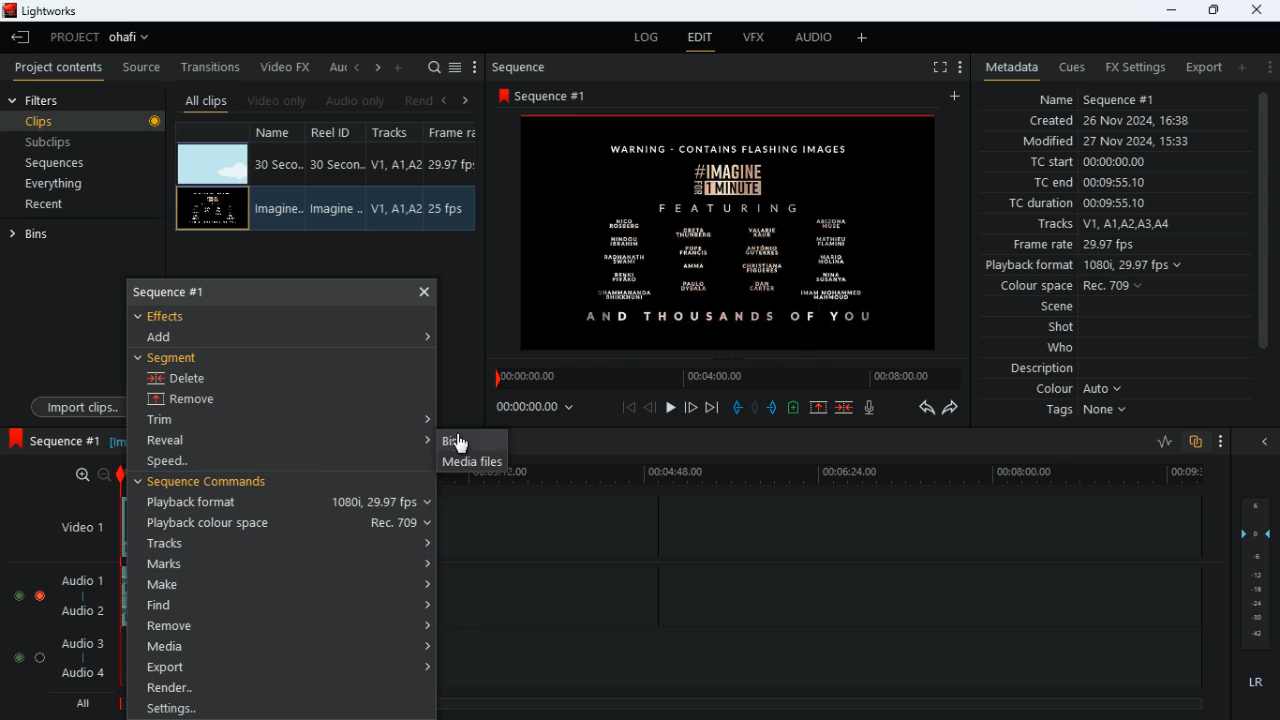 Image resolution: width=1280 pixels, height=720 pixels. What do you see at coordinates (276, 210) in the screenshot?
I see `Name` at bounding box center [276, 210].